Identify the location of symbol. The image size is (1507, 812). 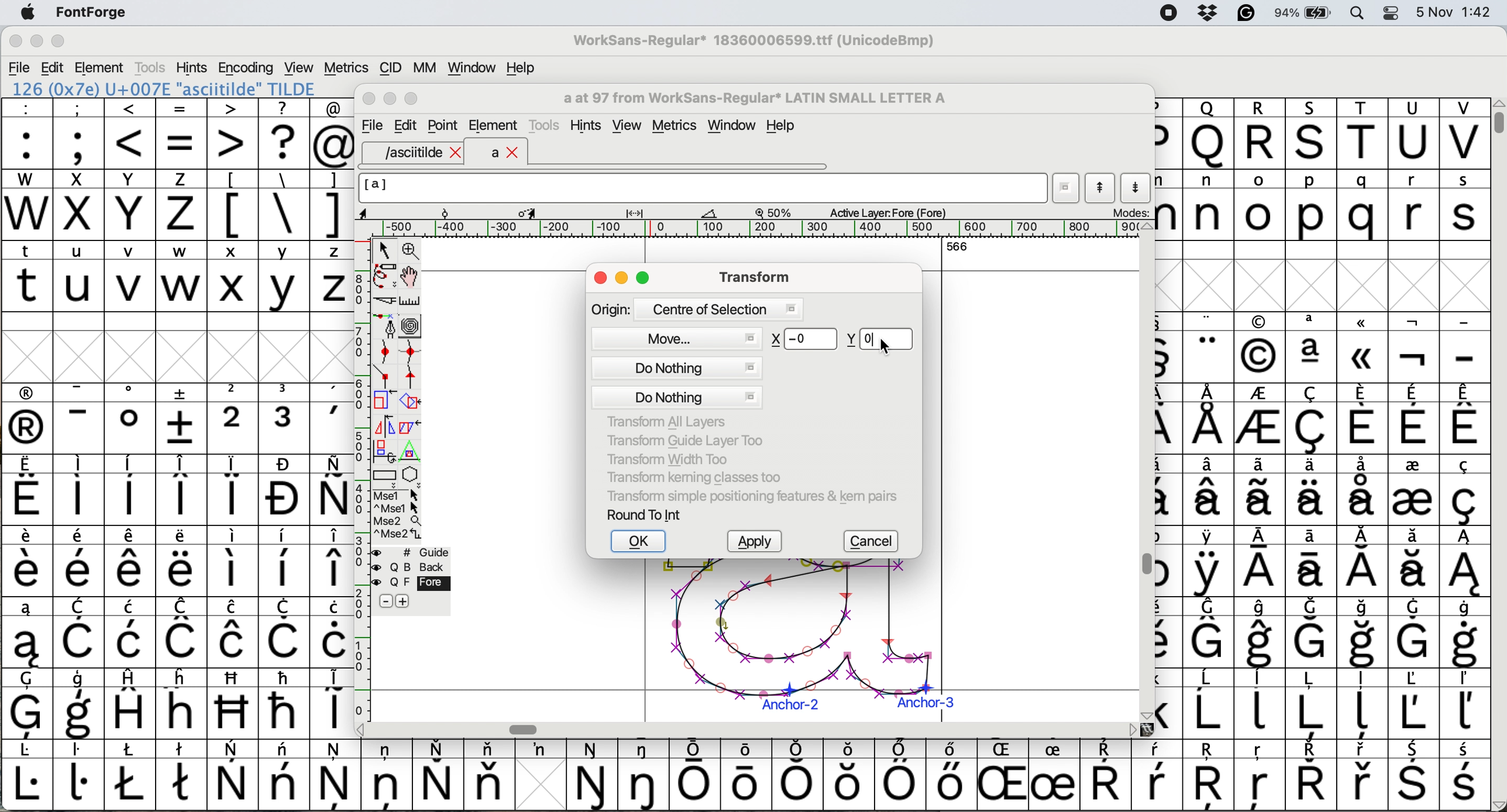
(1310, 703).